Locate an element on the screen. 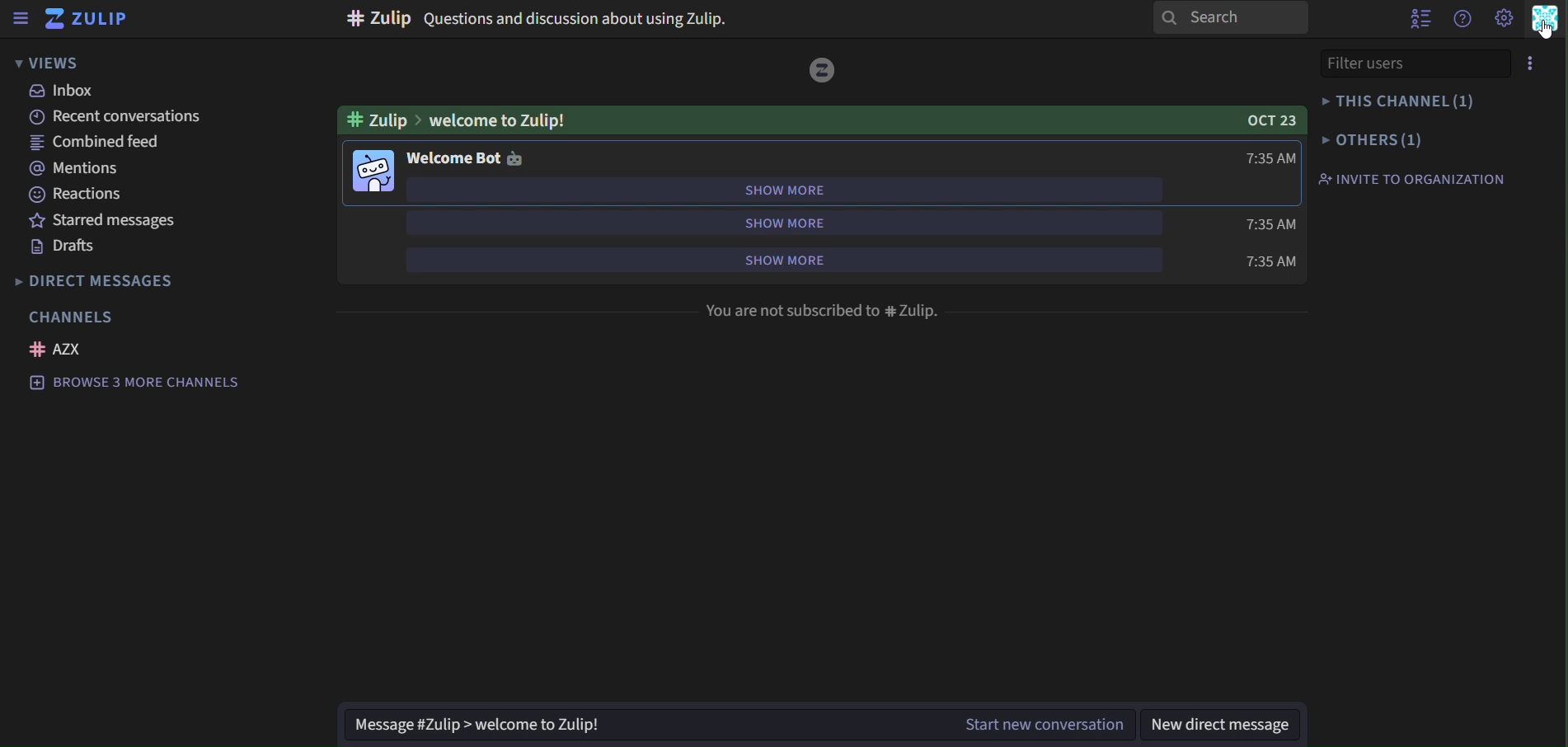  views is located at coordinates (65, 64).